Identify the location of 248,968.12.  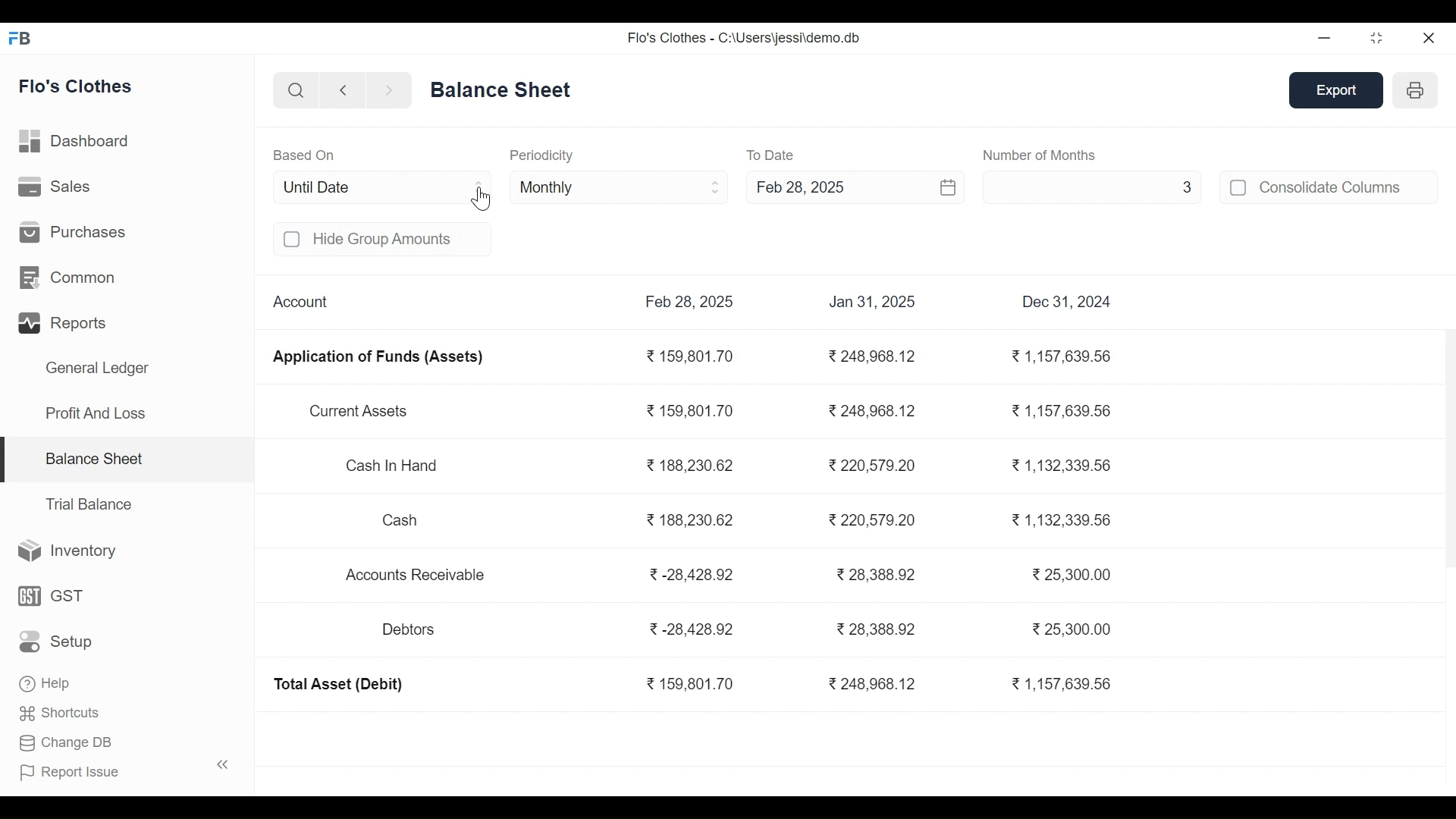
(874, 685).